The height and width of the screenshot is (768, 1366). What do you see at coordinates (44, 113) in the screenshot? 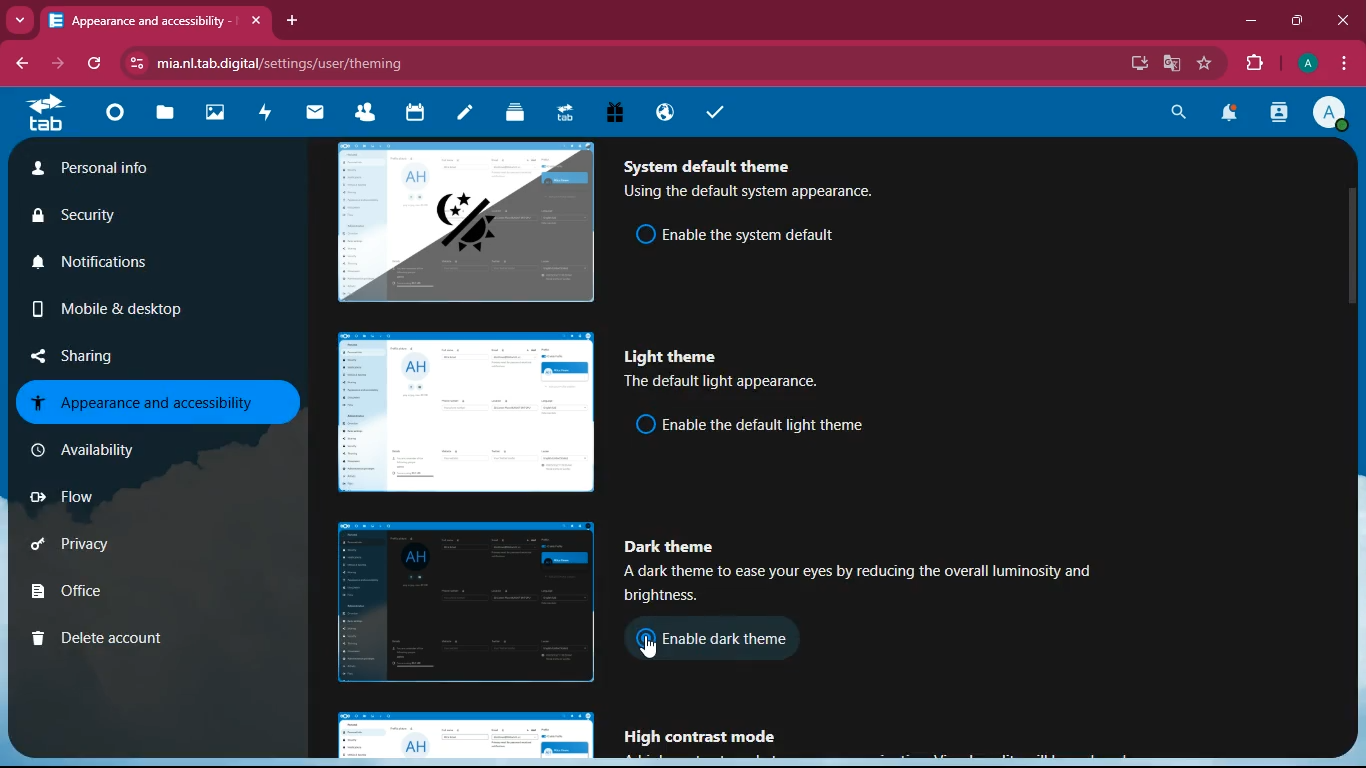
I see `tab` at bounding box center [44, 113].